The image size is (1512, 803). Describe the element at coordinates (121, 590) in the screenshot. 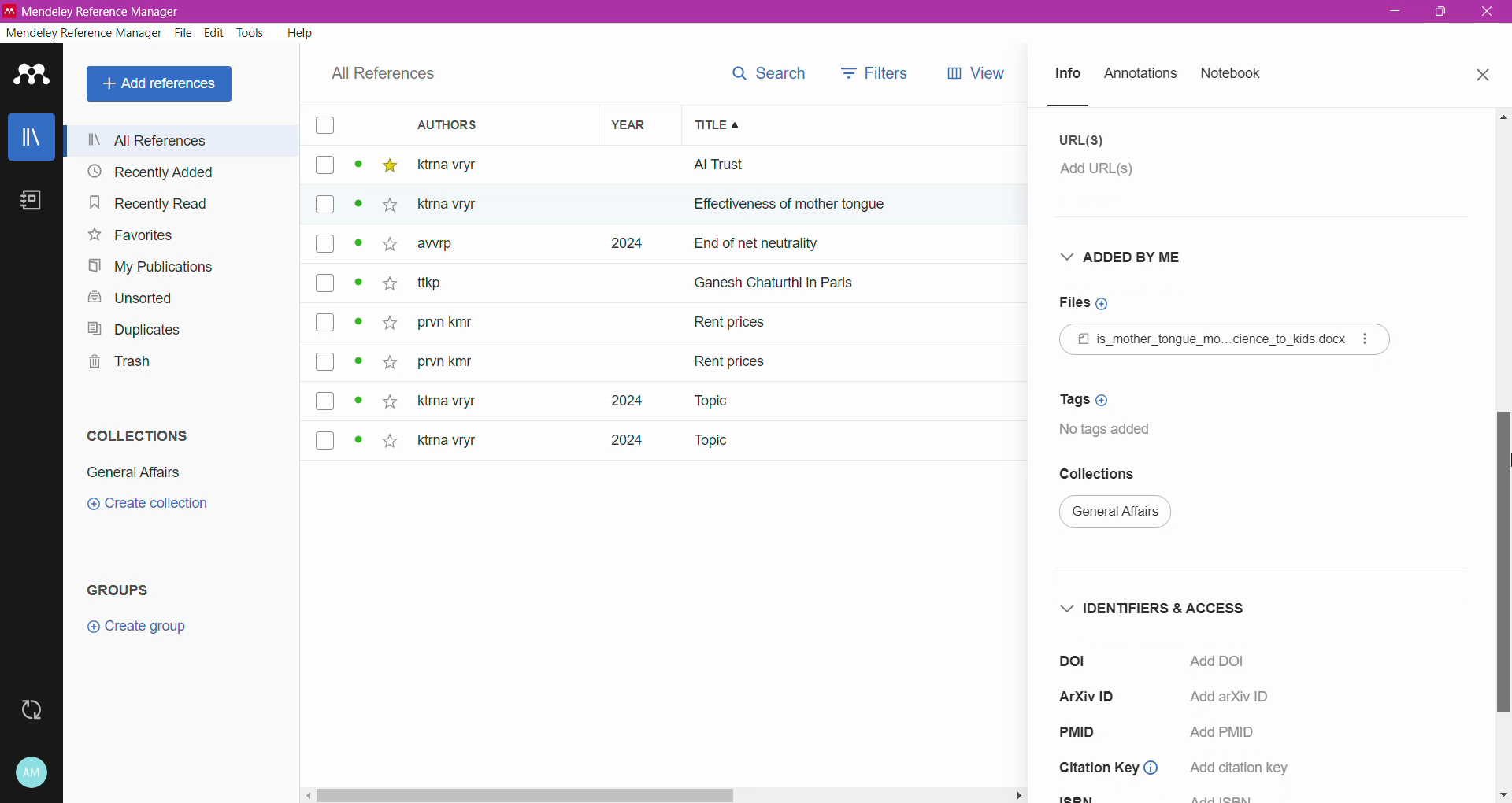

I see `Groups` at that location.